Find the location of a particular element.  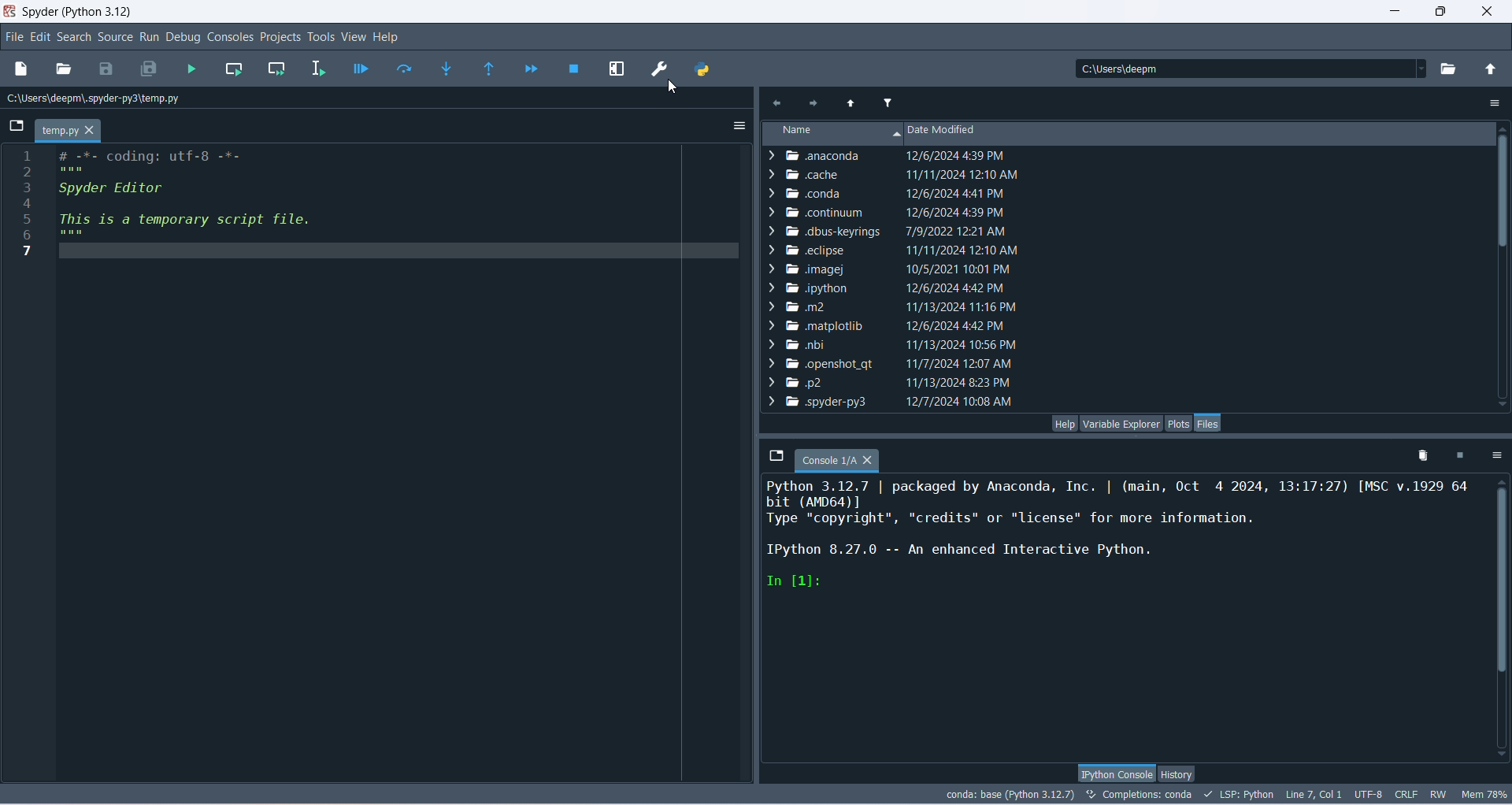

line number is located at coordinates (27, 202).